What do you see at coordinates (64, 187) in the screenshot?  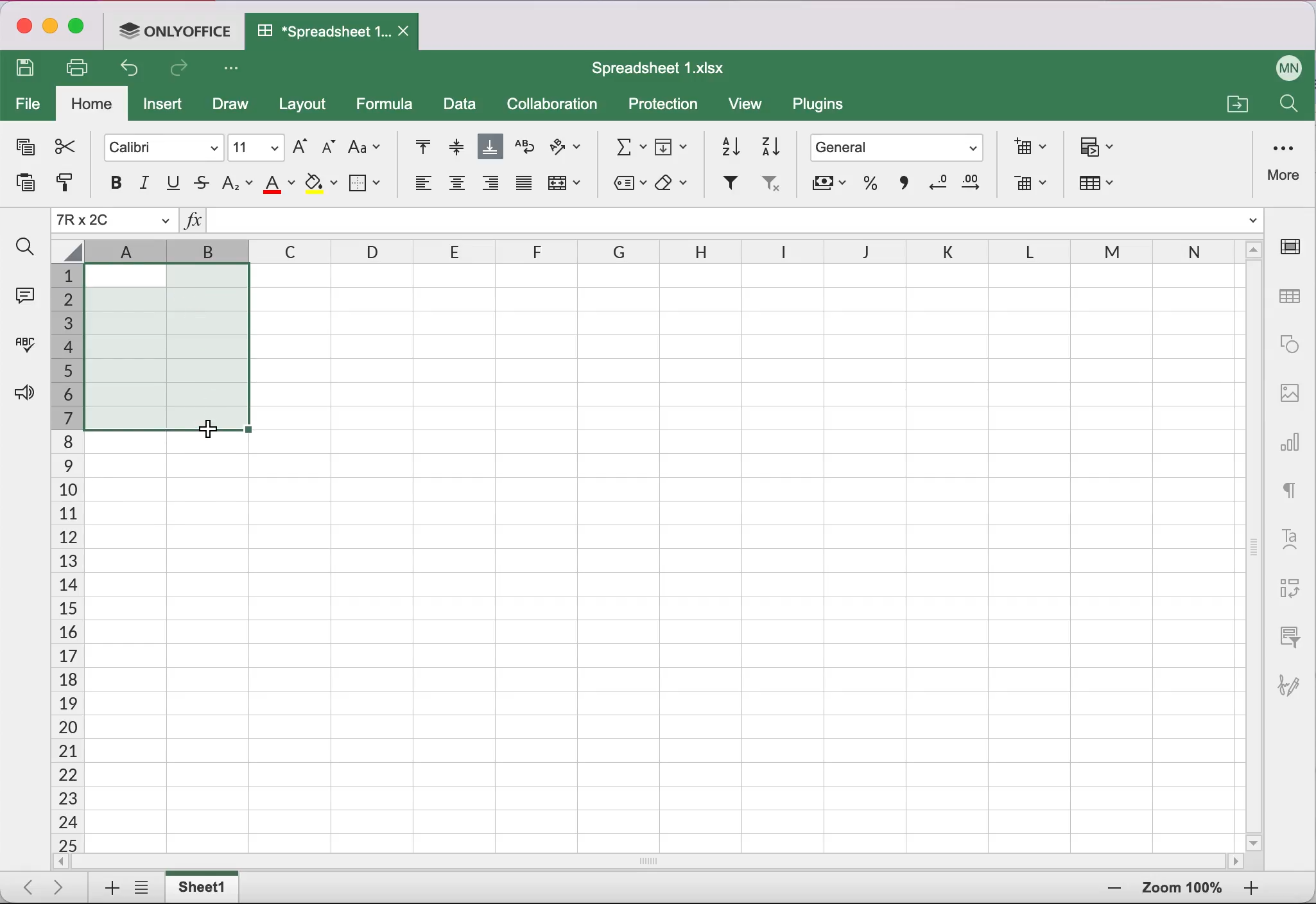 I see `copy style` at bounding box center [64, 187].